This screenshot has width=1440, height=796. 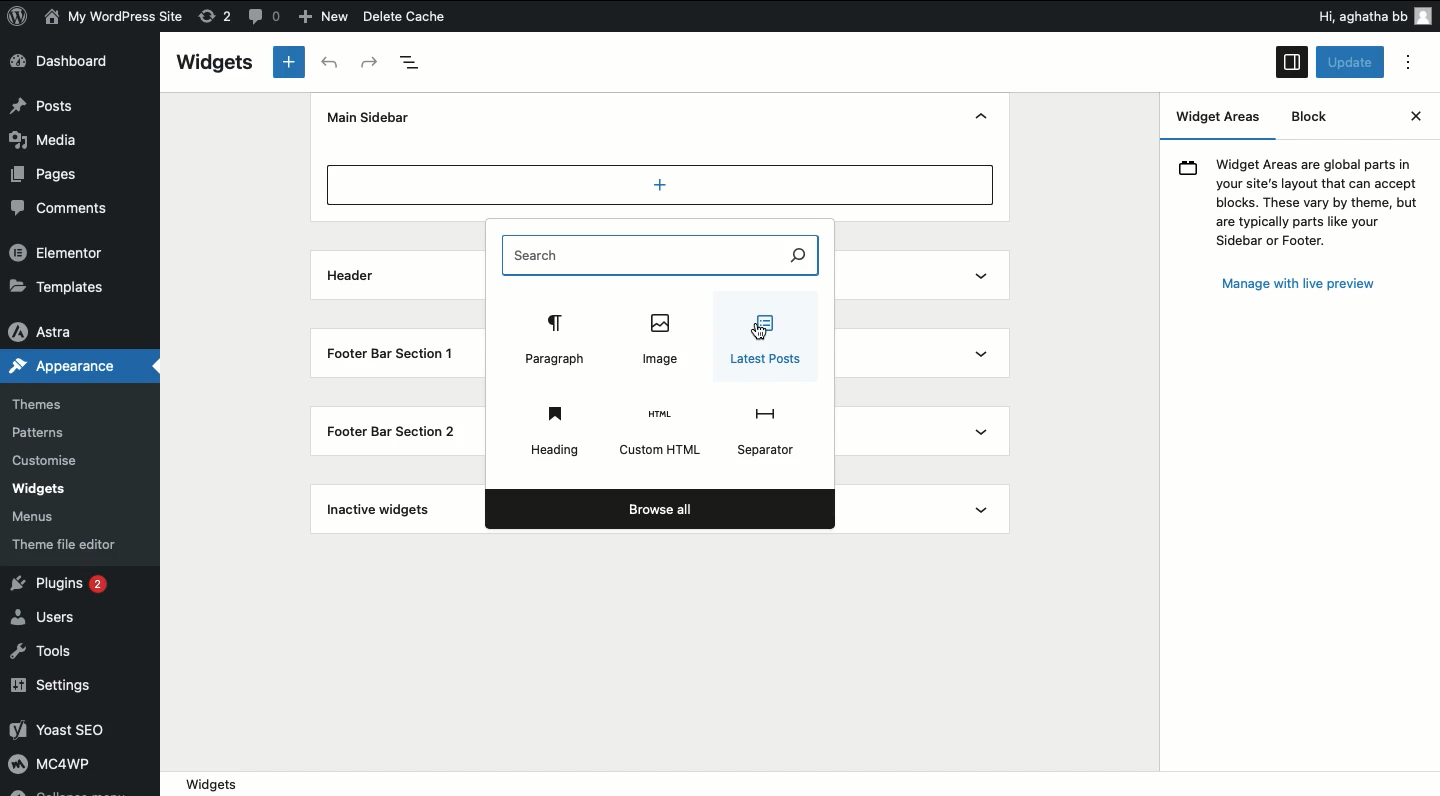 What do you see at coordinates (441, 14) in the screenshot?
I see `Delete Cache` at bounding box center [441, 14].